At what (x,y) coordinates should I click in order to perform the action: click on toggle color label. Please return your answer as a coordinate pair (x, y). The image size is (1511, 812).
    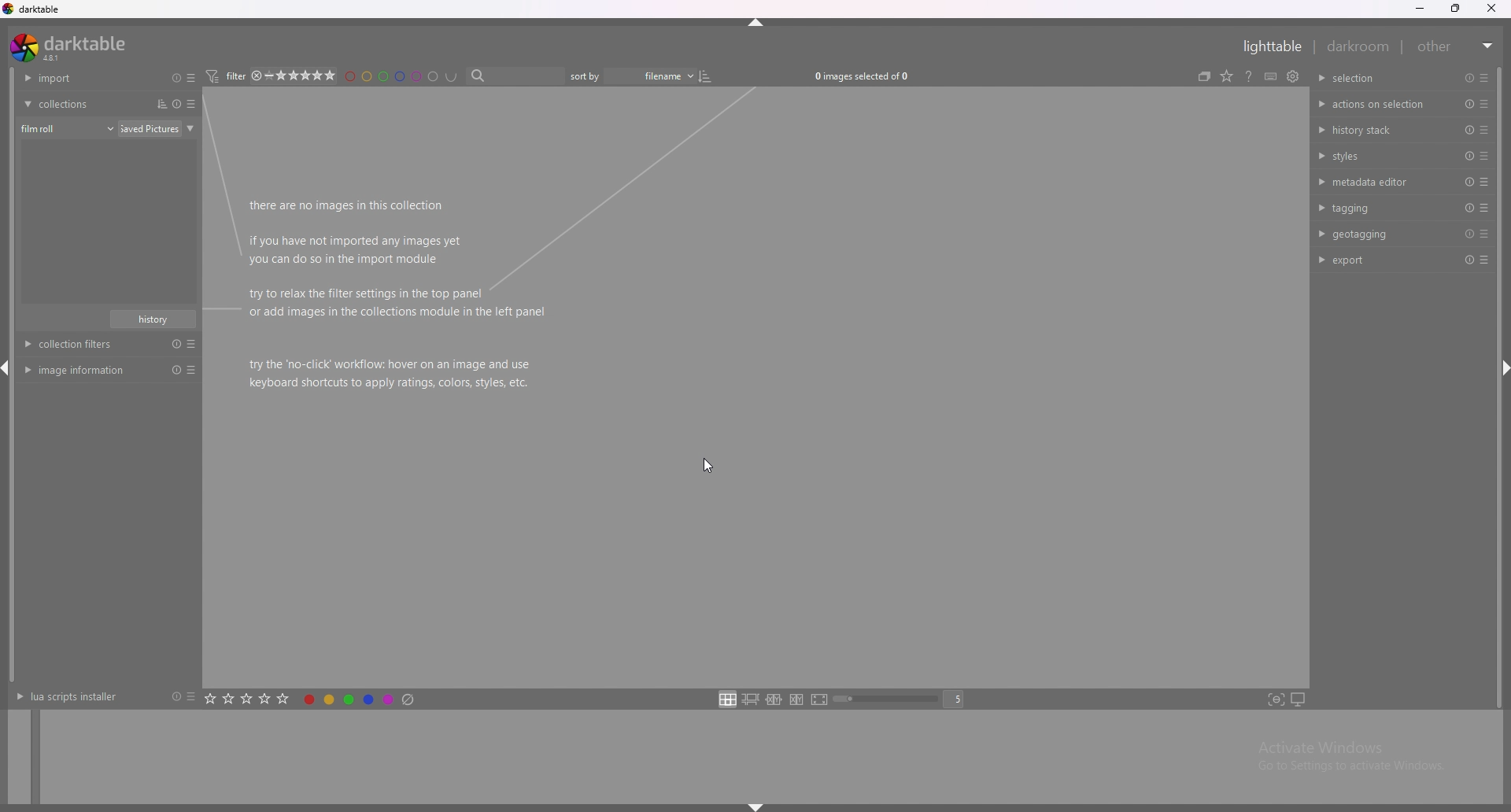
    Looking at the image, I should click on (360, 698).